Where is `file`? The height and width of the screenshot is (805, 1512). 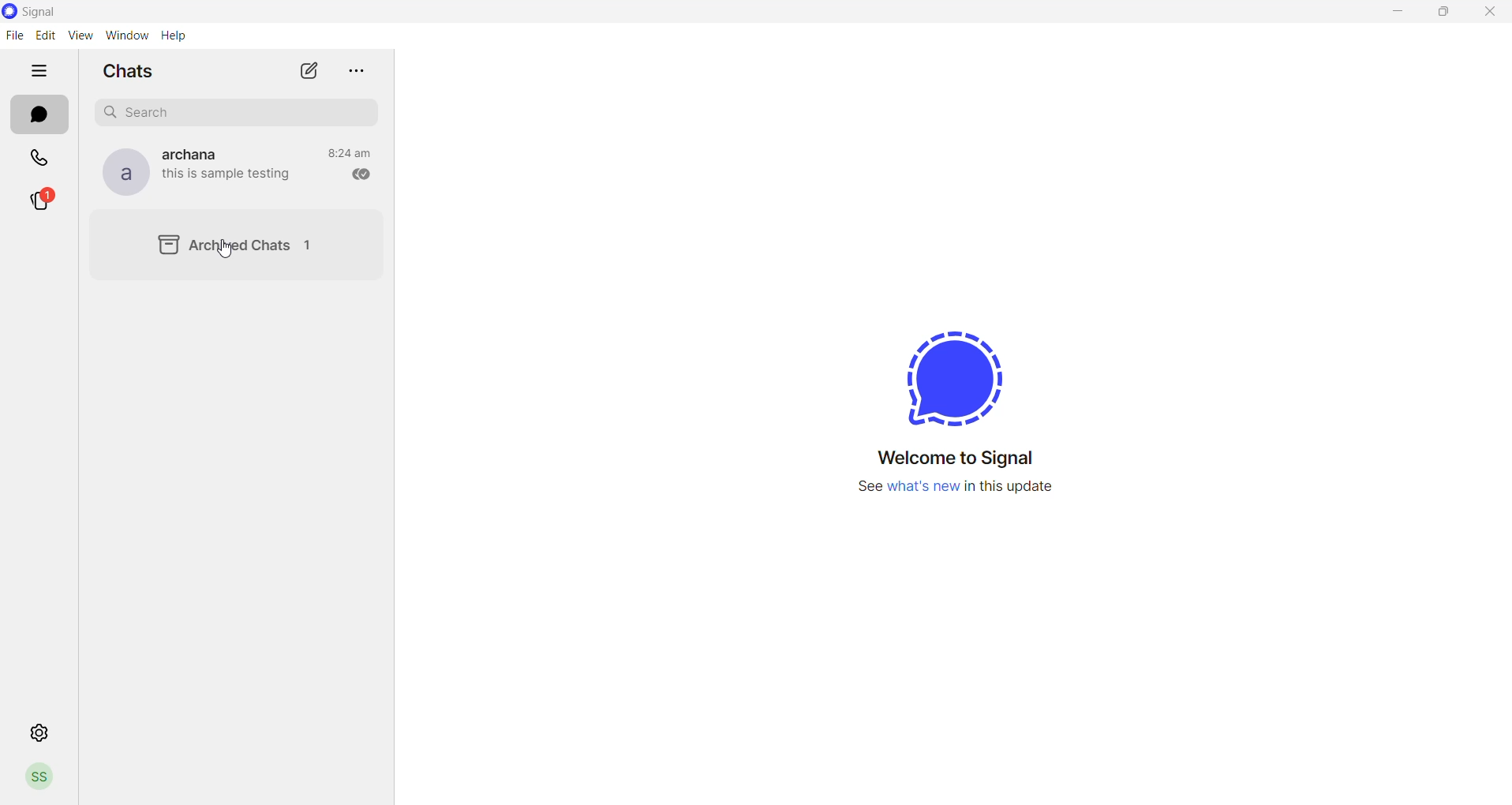
file is located at coordinates (14, 36).